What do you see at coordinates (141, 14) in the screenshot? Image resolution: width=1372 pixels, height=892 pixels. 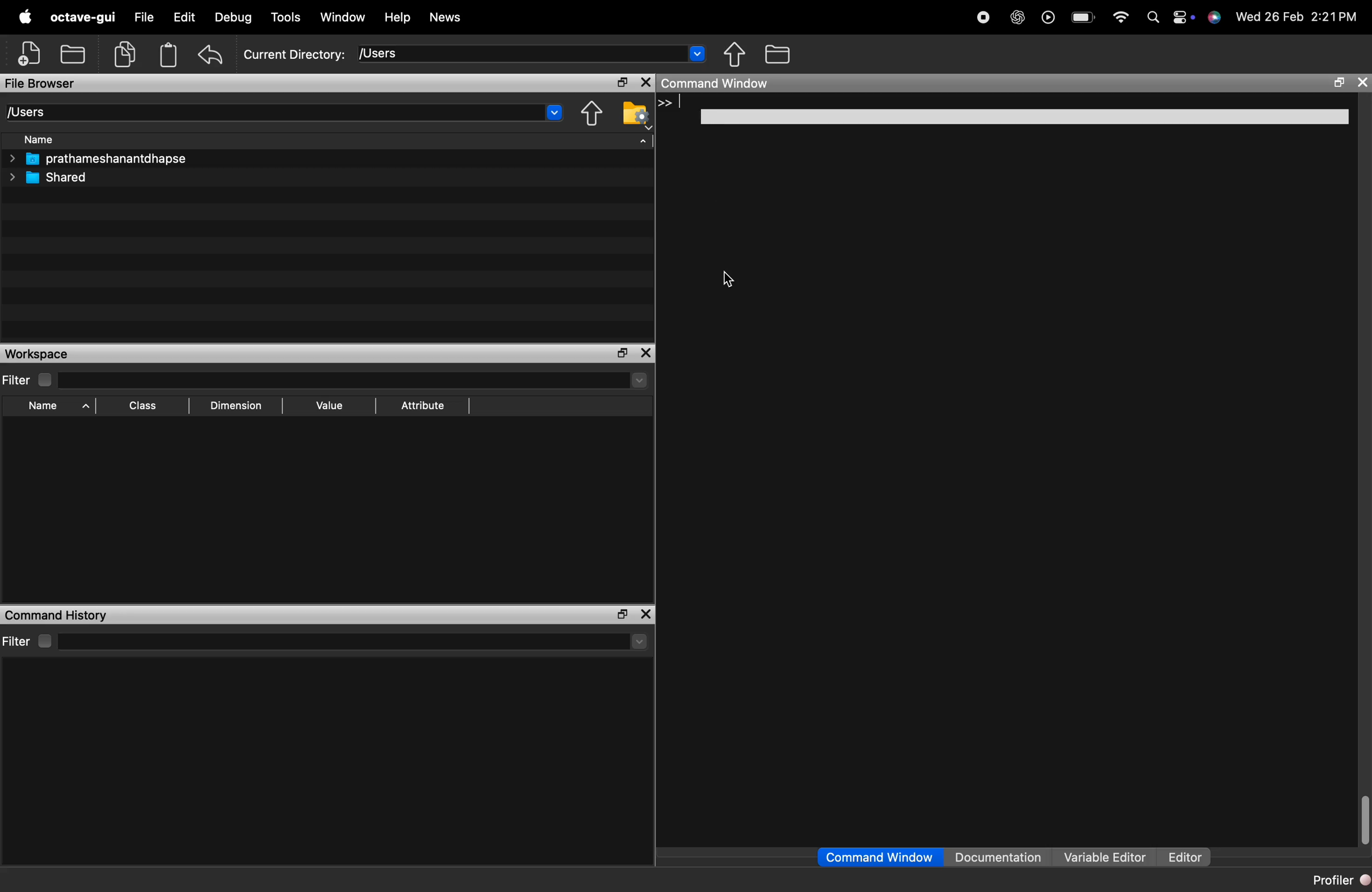 I see `File` at bounding box center [141, 14].